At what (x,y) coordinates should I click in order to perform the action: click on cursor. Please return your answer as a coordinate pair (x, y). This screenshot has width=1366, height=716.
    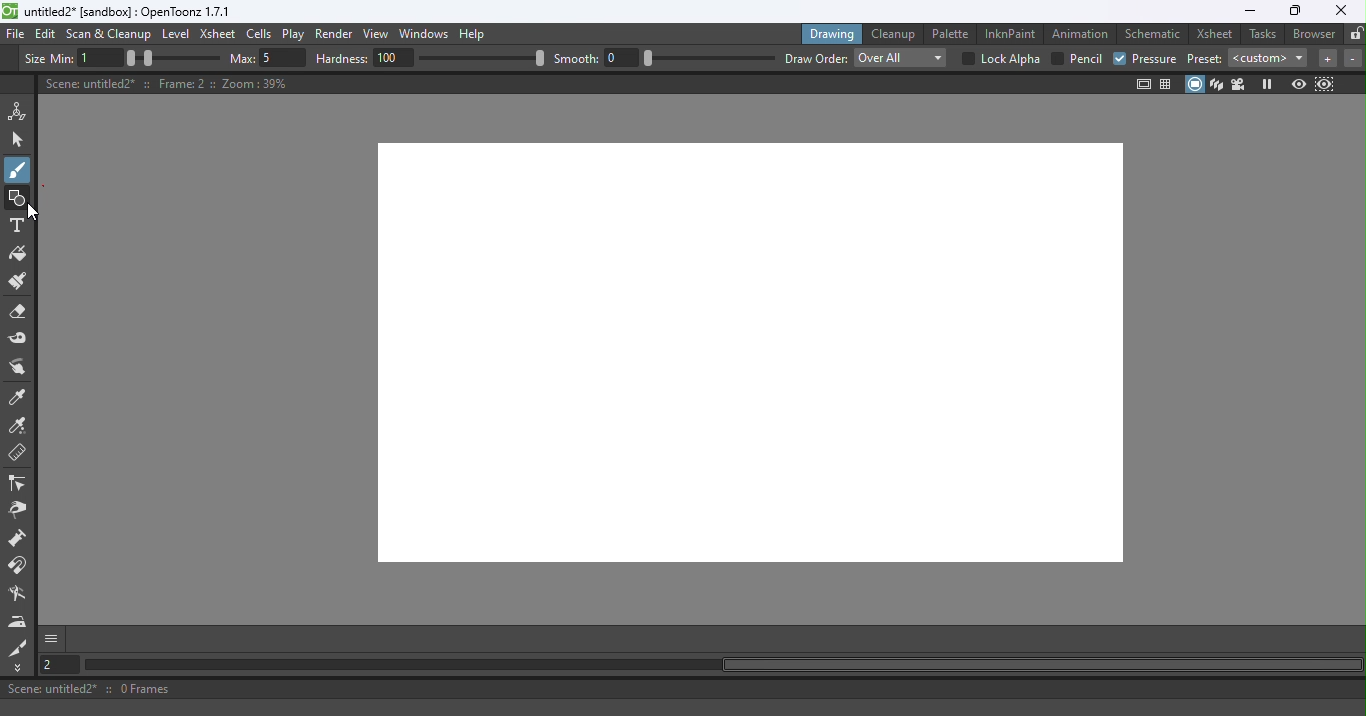
    Looking at the image, I should click on (36, 214).